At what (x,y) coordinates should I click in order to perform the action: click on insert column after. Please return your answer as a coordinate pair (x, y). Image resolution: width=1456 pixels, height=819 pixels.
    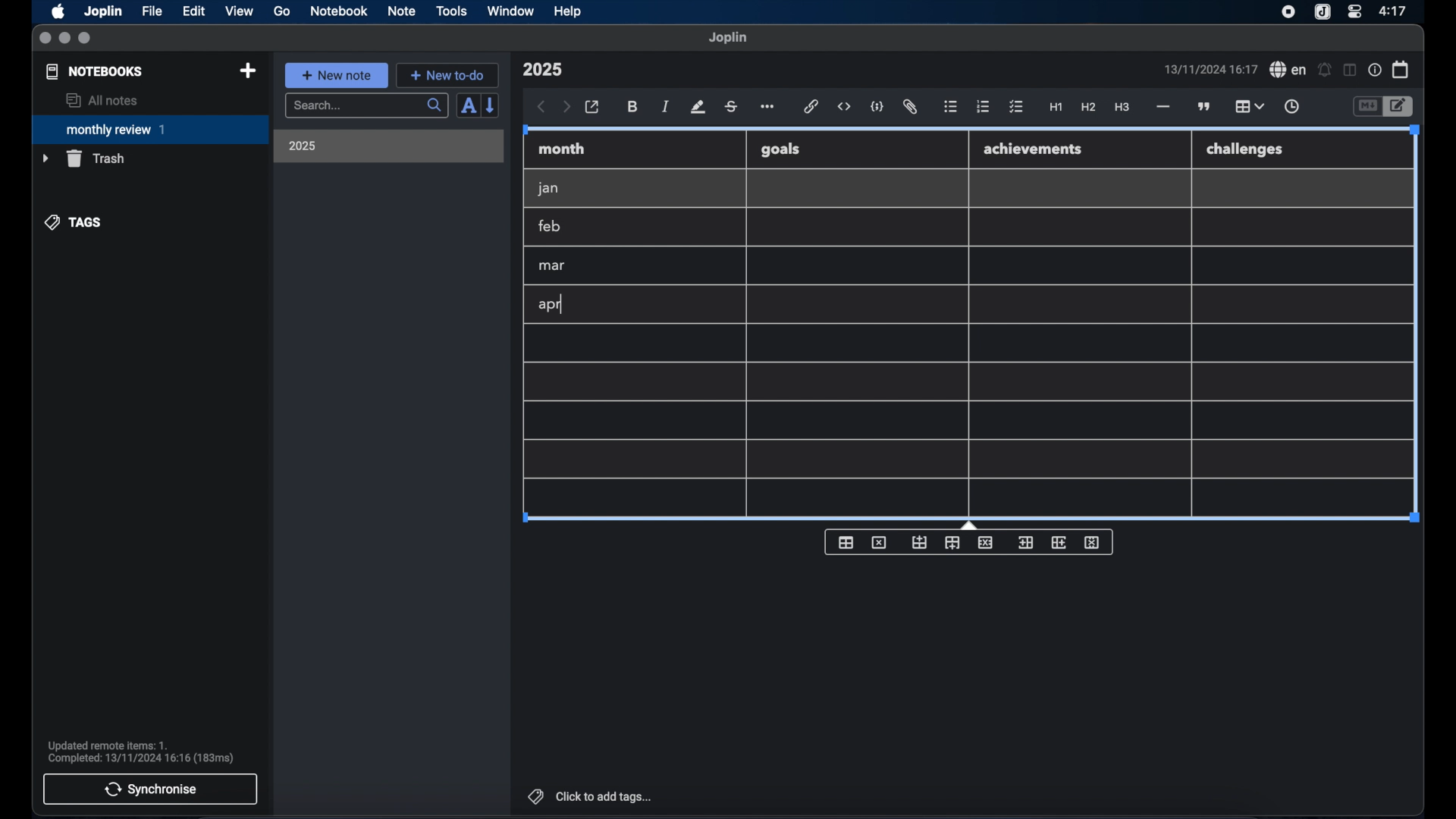
    Looking at the image, I should click on (1059, 542).